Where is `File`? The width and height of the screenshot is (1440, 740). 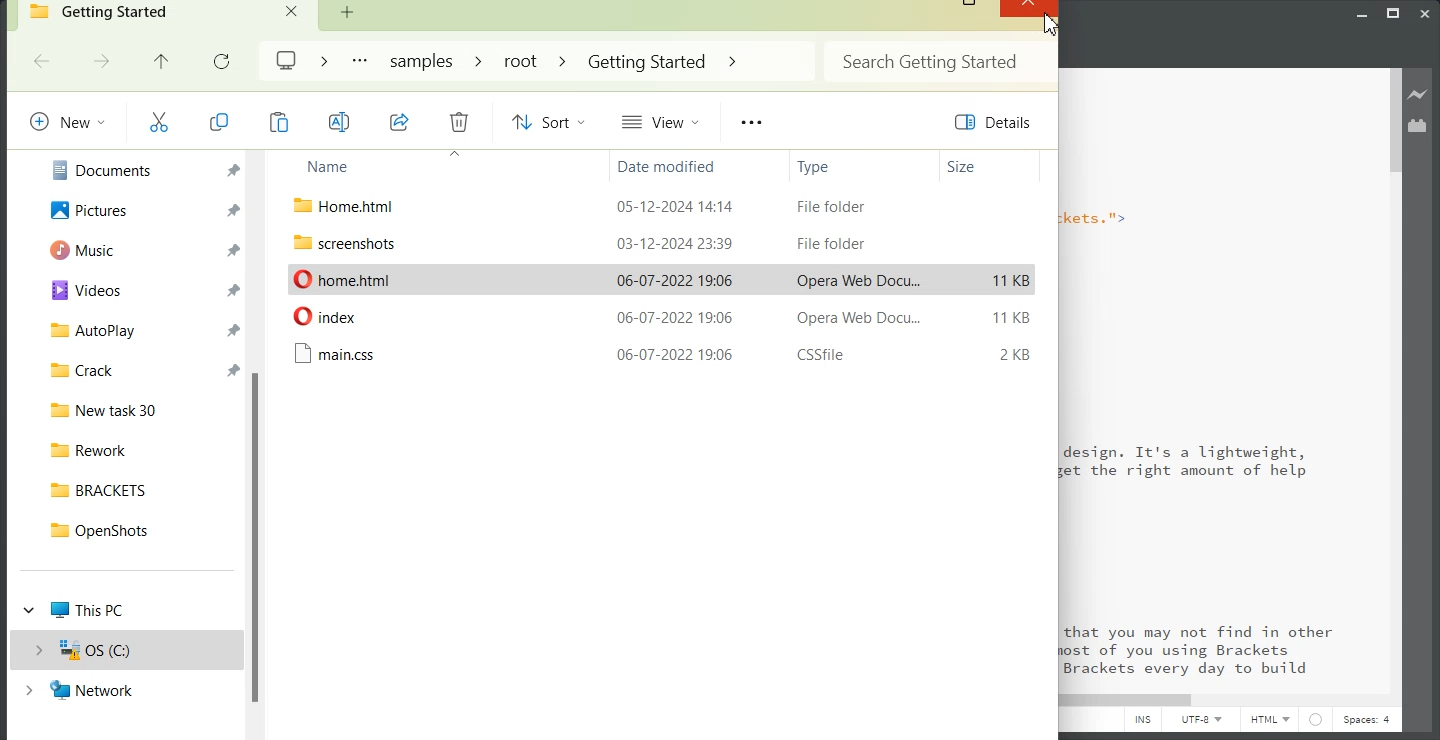 File is located at coordinates (349, 241).